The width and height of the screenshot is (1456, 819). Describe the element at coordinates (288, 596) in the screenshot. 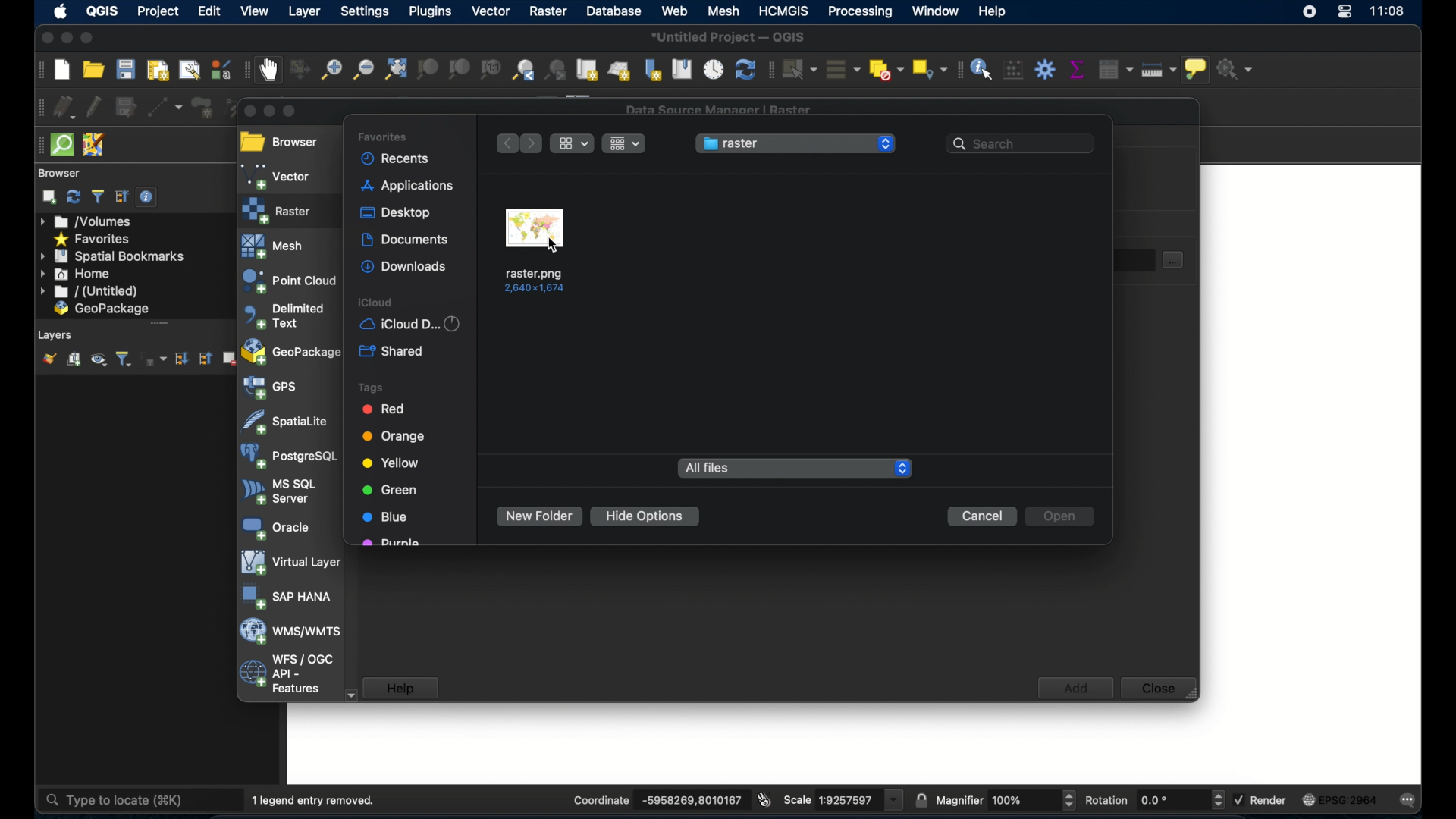

I see `sap hana` at that location.